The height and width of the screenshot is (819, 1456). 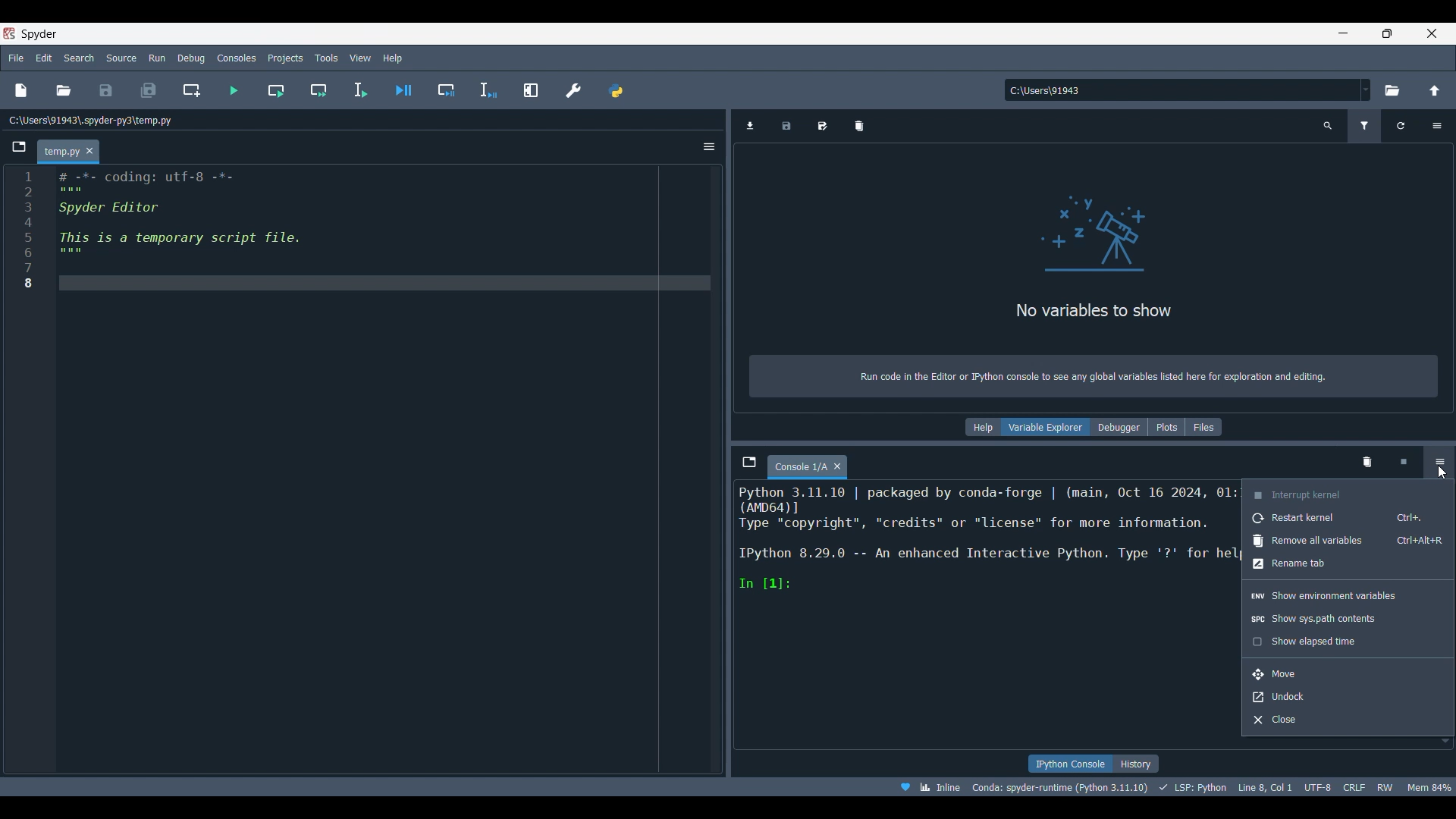 I want to click on Options, so click(x=1438, y=127).